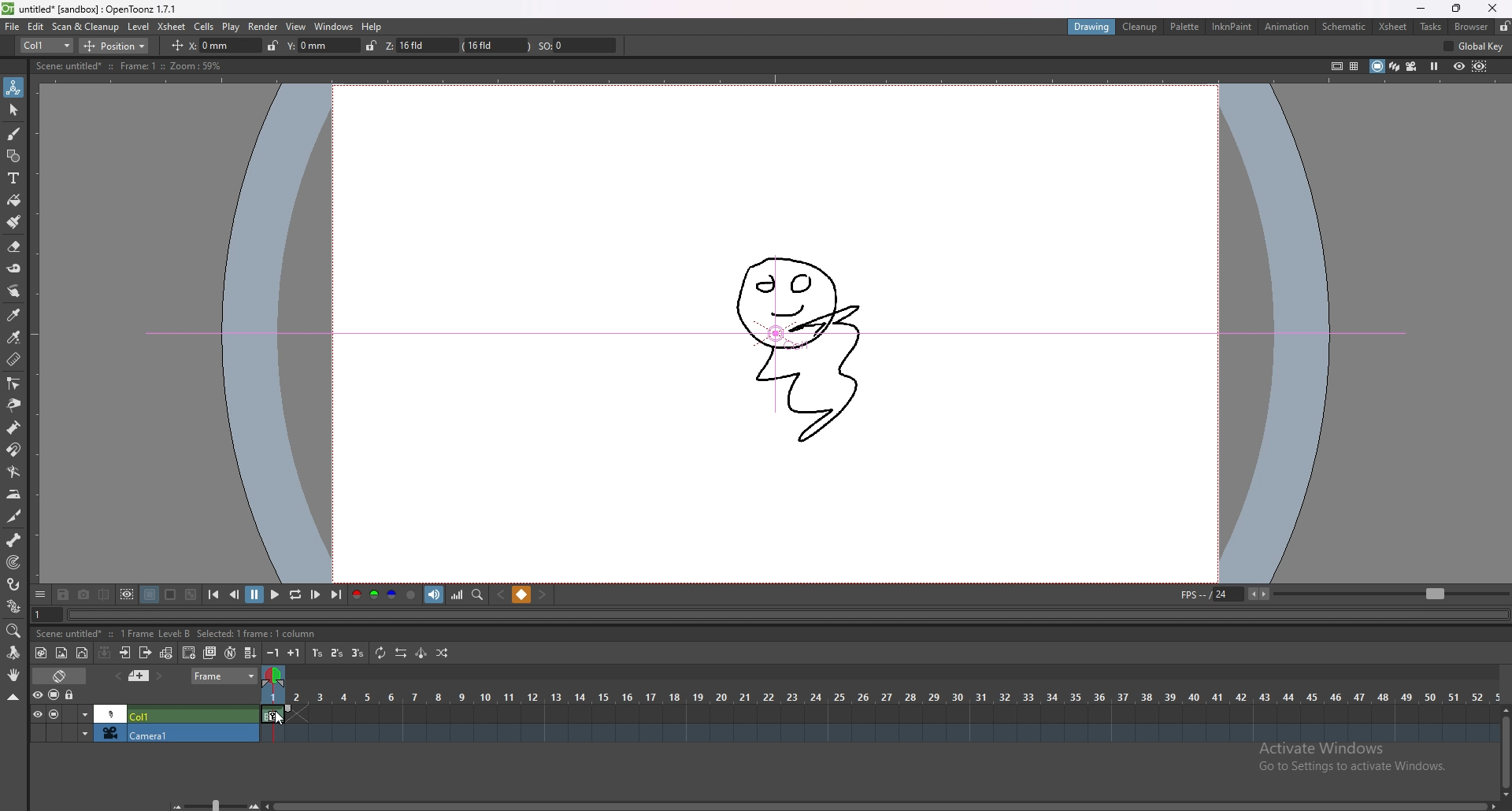 This screenshot has height=811, width=1512. What do you see at coordinates (295, 594) in the screenshot?
I see `loop` at bounding box center [295, 594].